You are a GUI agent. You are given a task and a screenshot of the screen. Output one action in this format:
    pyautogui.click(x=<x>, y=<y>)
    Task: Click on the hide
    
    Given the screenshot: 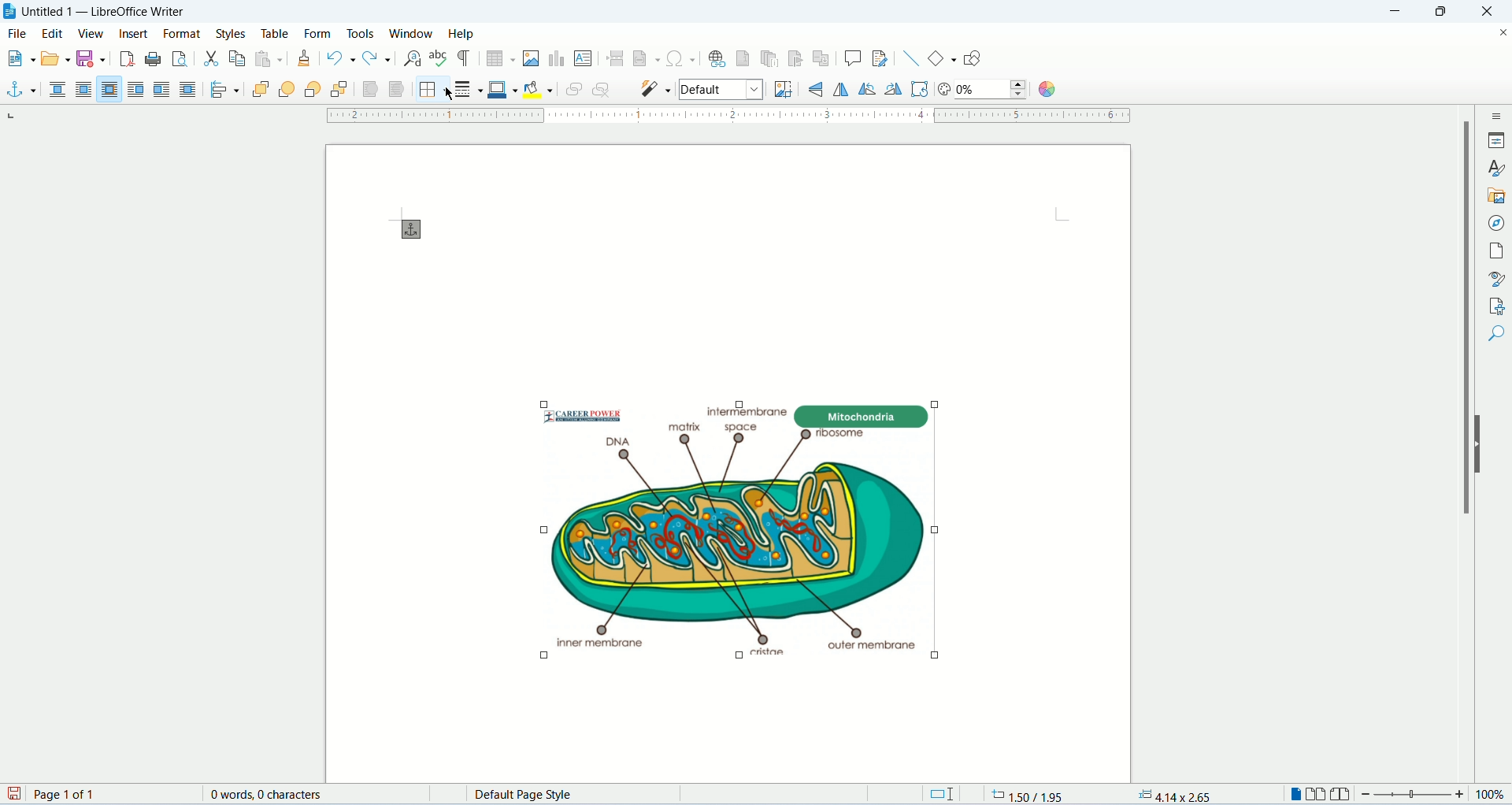 What is the action you would take?
    pyautogui.click(x=1480, y=443)
    